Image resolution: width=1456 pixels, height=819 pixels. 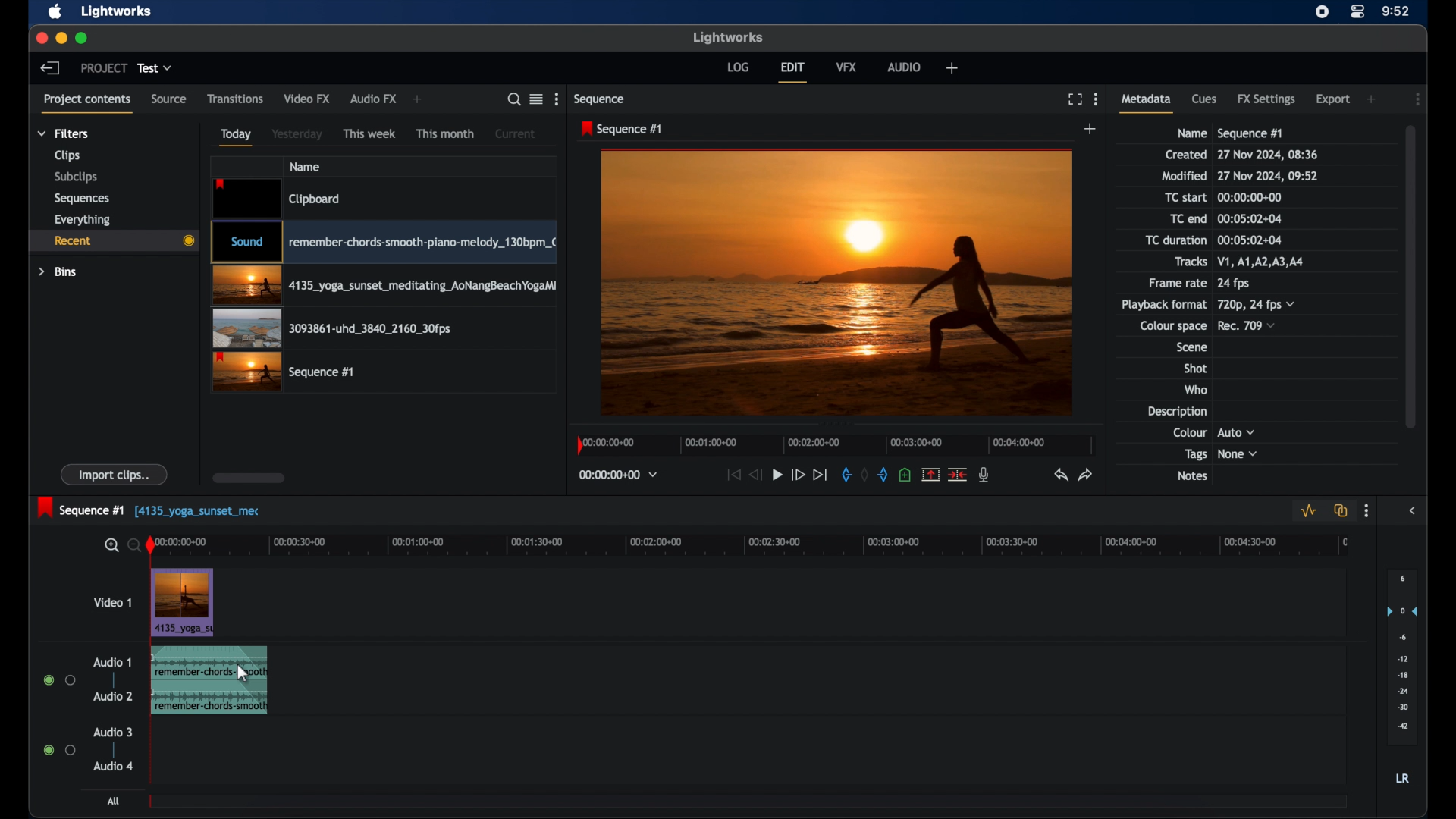 I want to click on today, so click(x=236, y=137).